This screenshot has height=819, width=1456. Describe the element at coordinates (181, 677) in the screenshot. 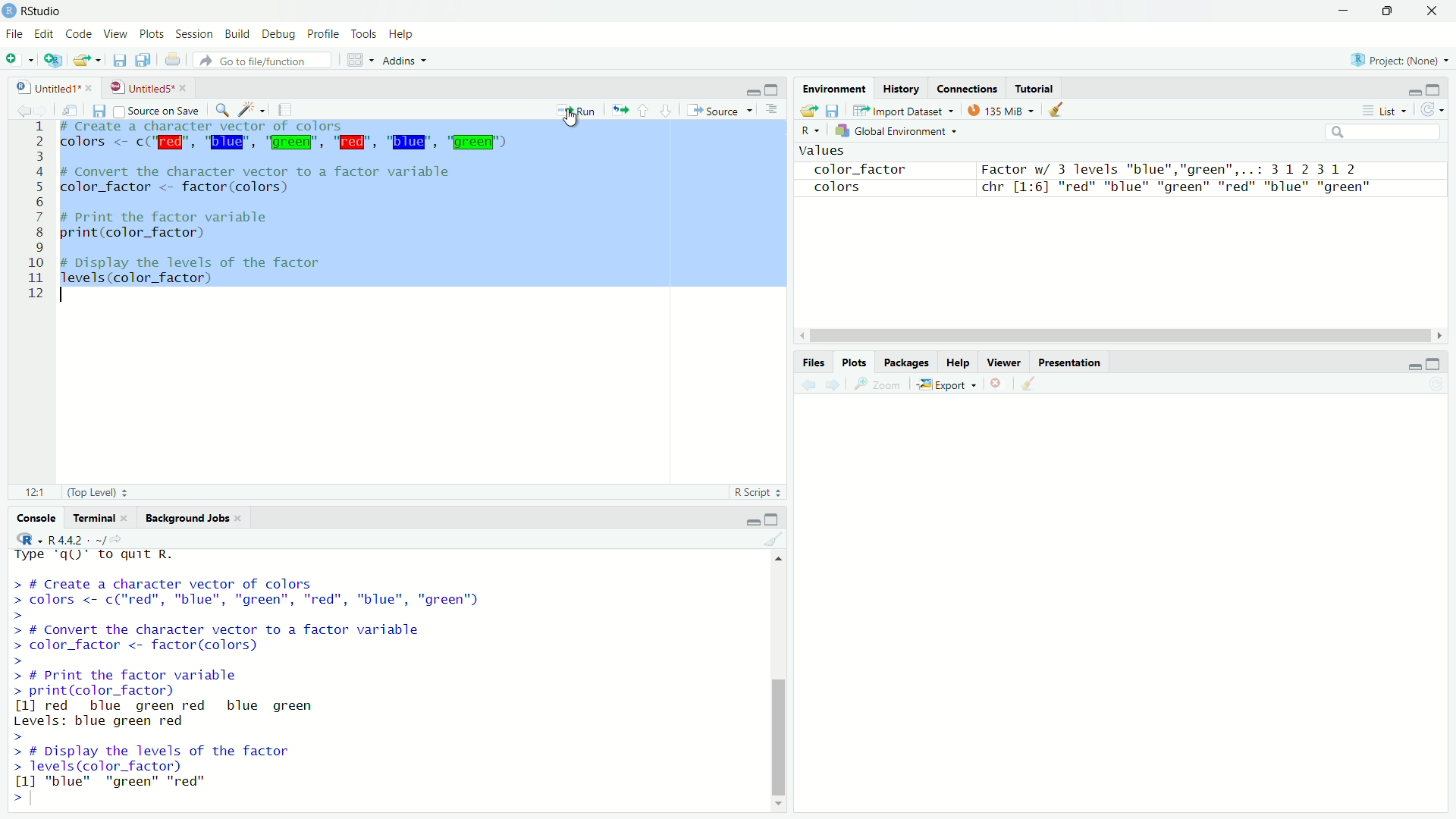

I see `# Print the Tactor variable
print(color_factor)` at that location.